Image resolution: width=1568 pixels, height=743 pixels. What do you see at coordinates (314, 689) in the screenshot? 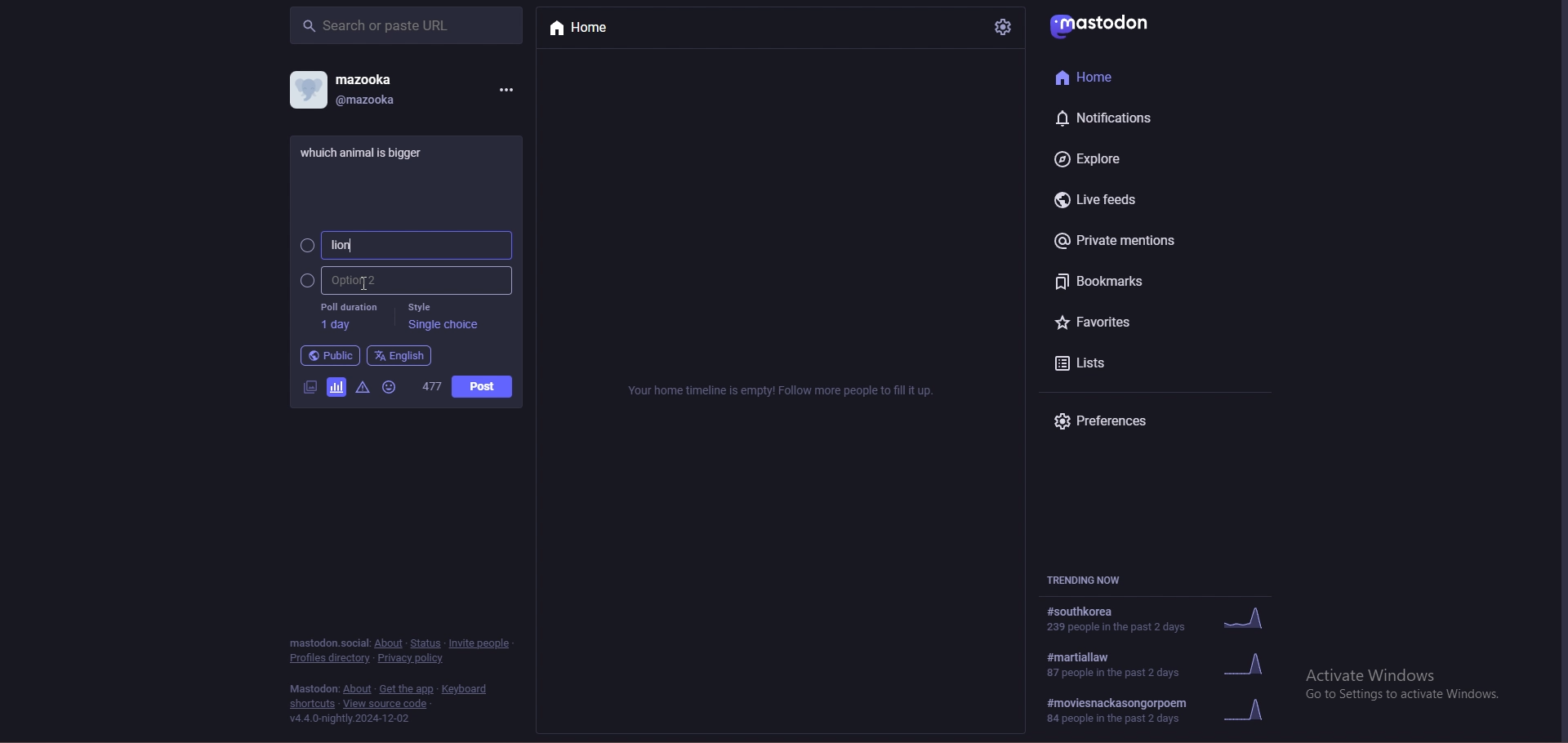
I see `mastodon` at bounding box center [314, 689].